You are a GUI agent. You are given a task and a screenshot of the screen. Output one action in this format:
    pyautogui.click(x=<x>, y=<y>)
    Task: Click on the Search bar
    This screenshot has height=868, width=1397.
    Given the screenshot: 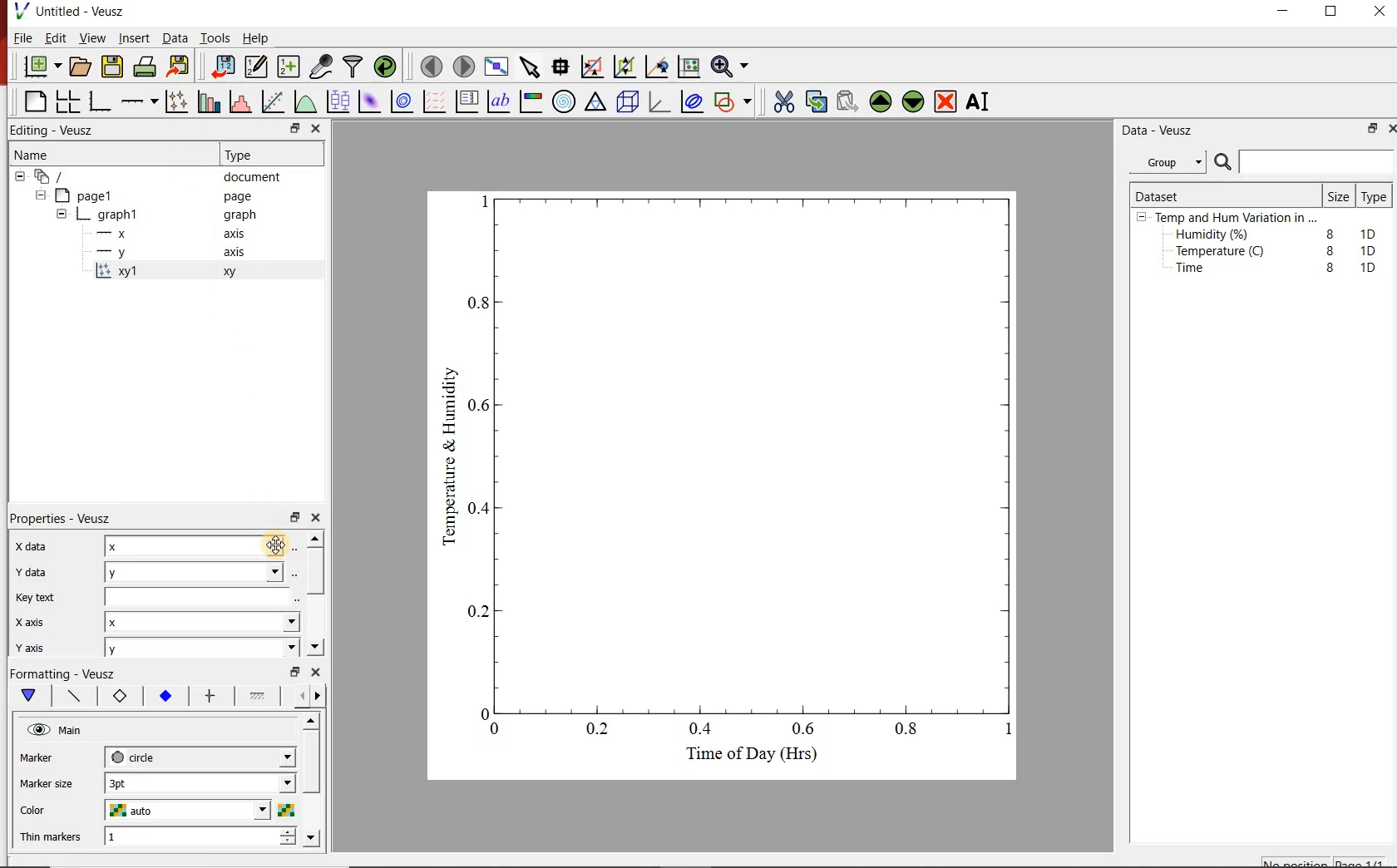 What is the action you would take?
    pyautogui.click(x=1304, y=162)
    